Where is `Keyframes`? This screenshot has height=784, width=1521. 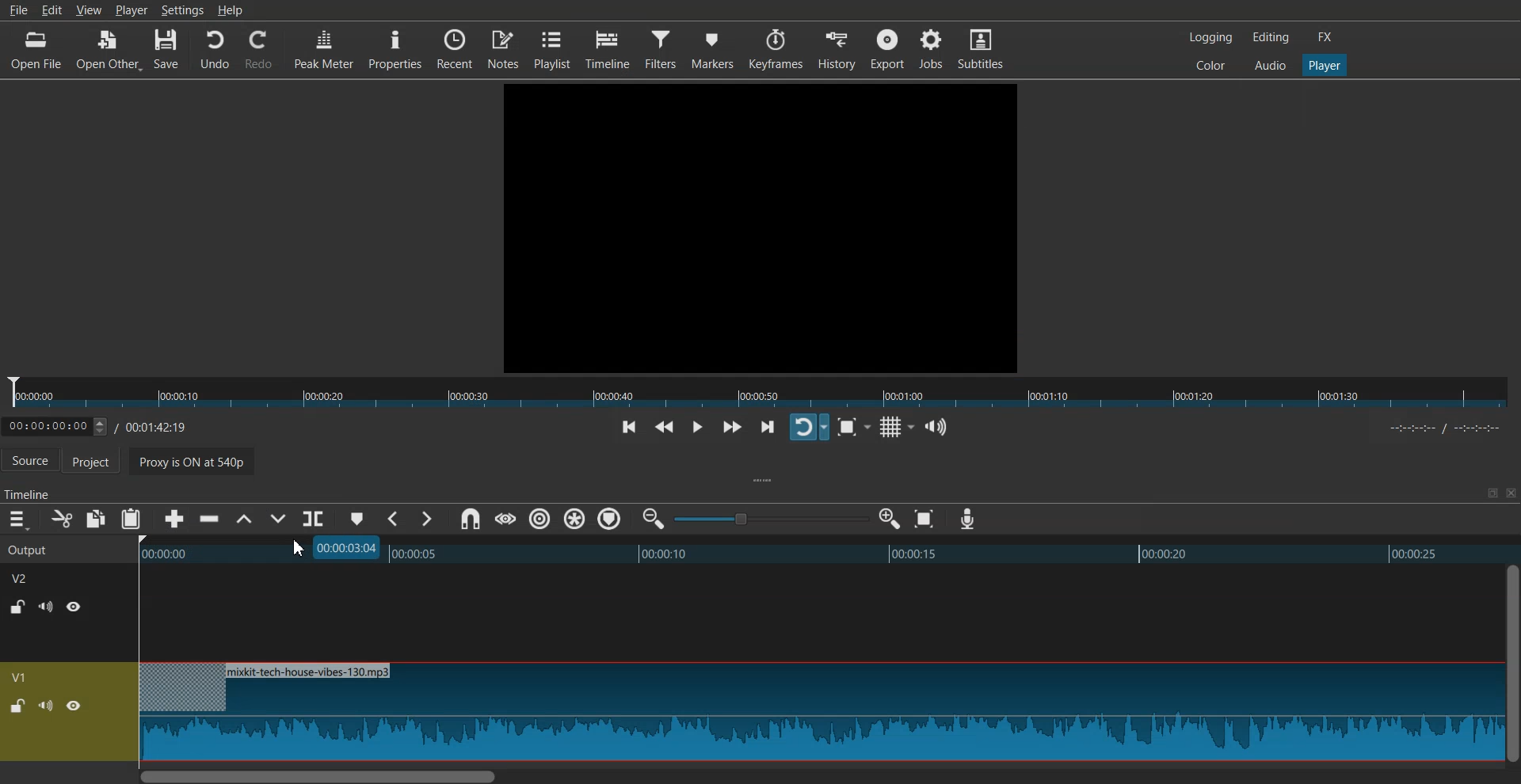
Keyframes is located at coordinates (776, 49).